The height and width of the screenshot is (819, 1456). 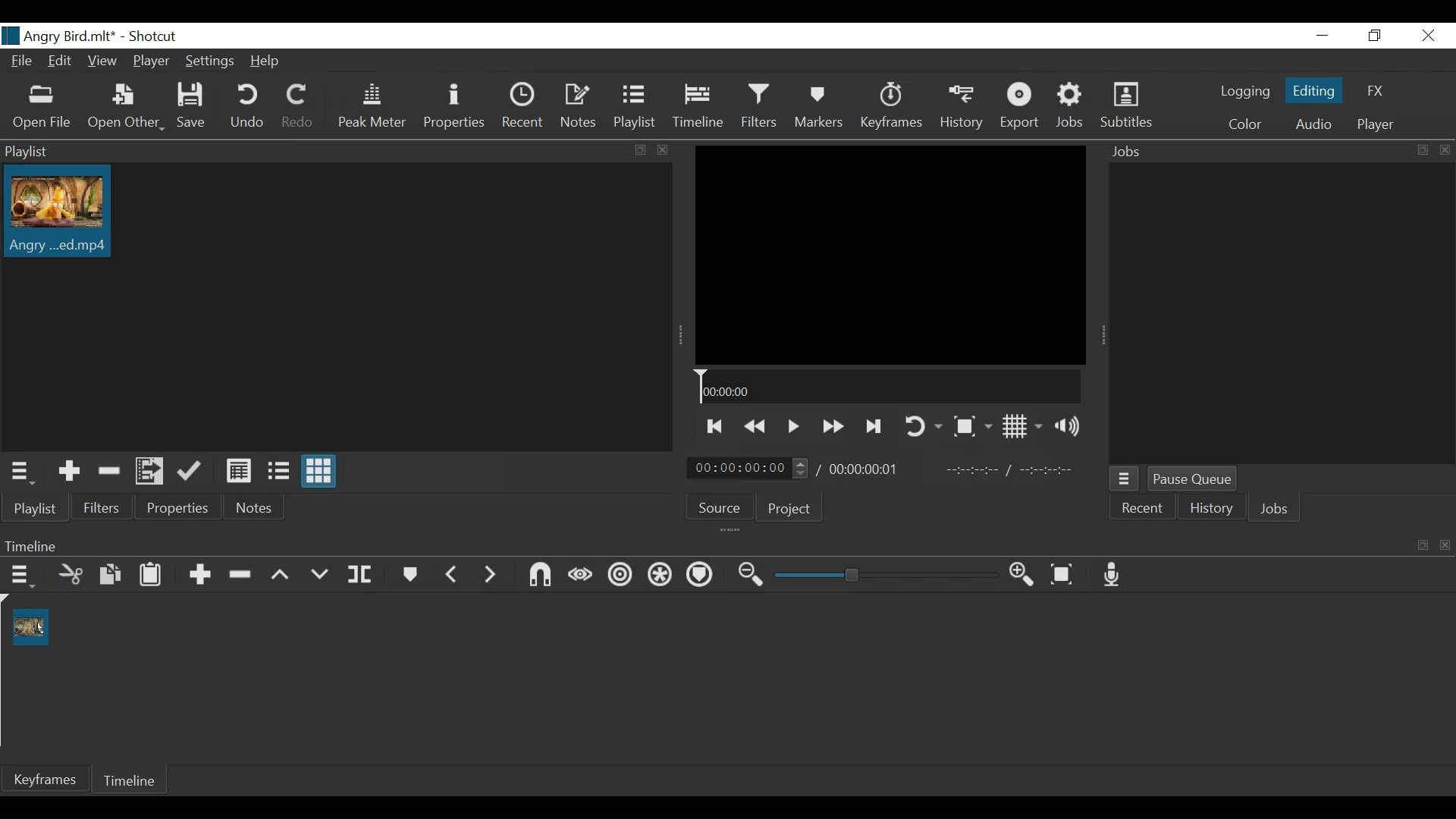 I want to click on History, so click(x=1209, y=509).